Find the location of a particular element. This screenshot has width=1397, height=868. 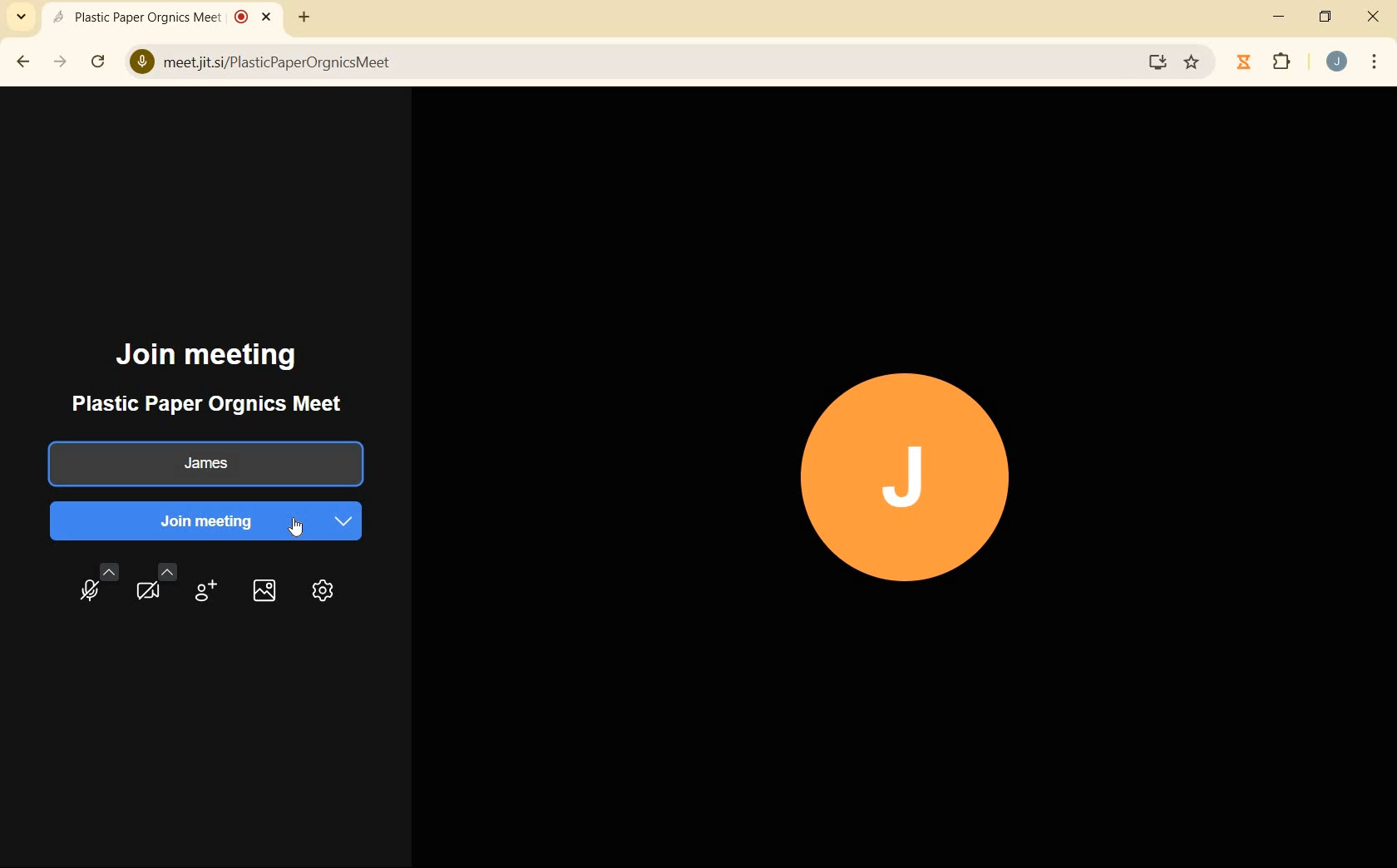

close is located at coordinates (1374, 19).